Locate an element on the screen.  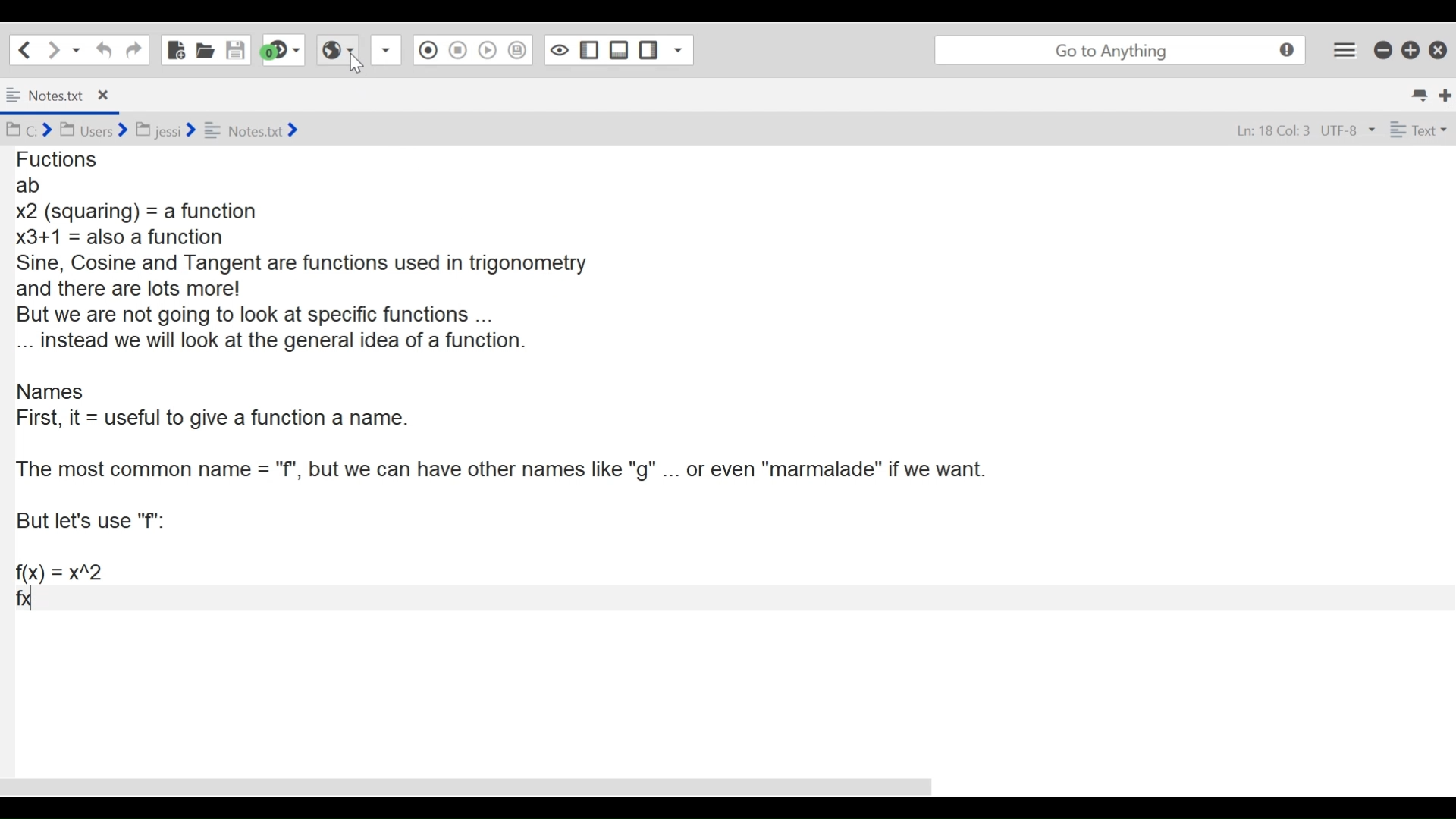
Save file is located at coordinates (236, 50).